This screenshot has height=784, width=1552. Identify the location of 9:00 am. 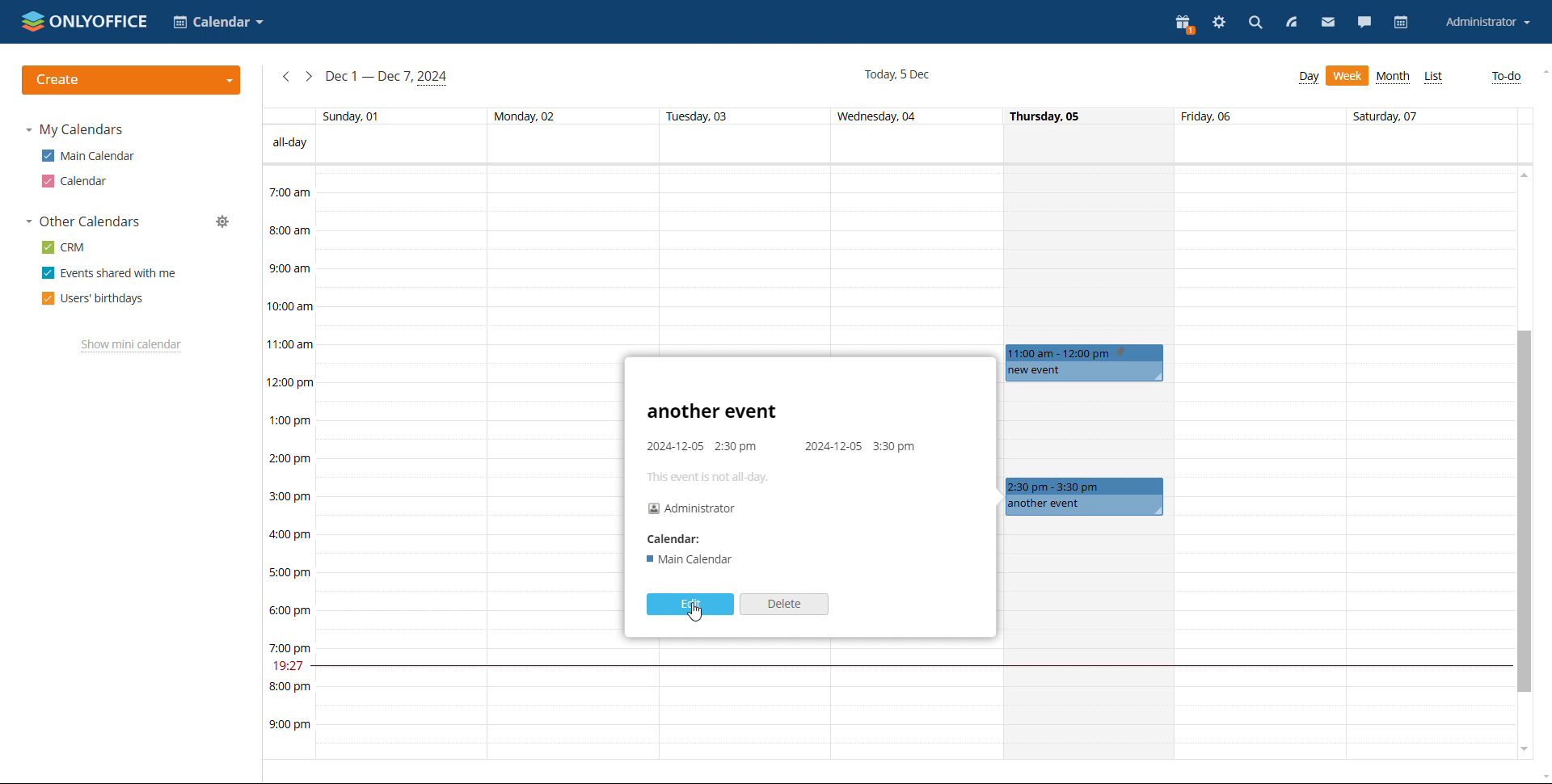
(289, 269).